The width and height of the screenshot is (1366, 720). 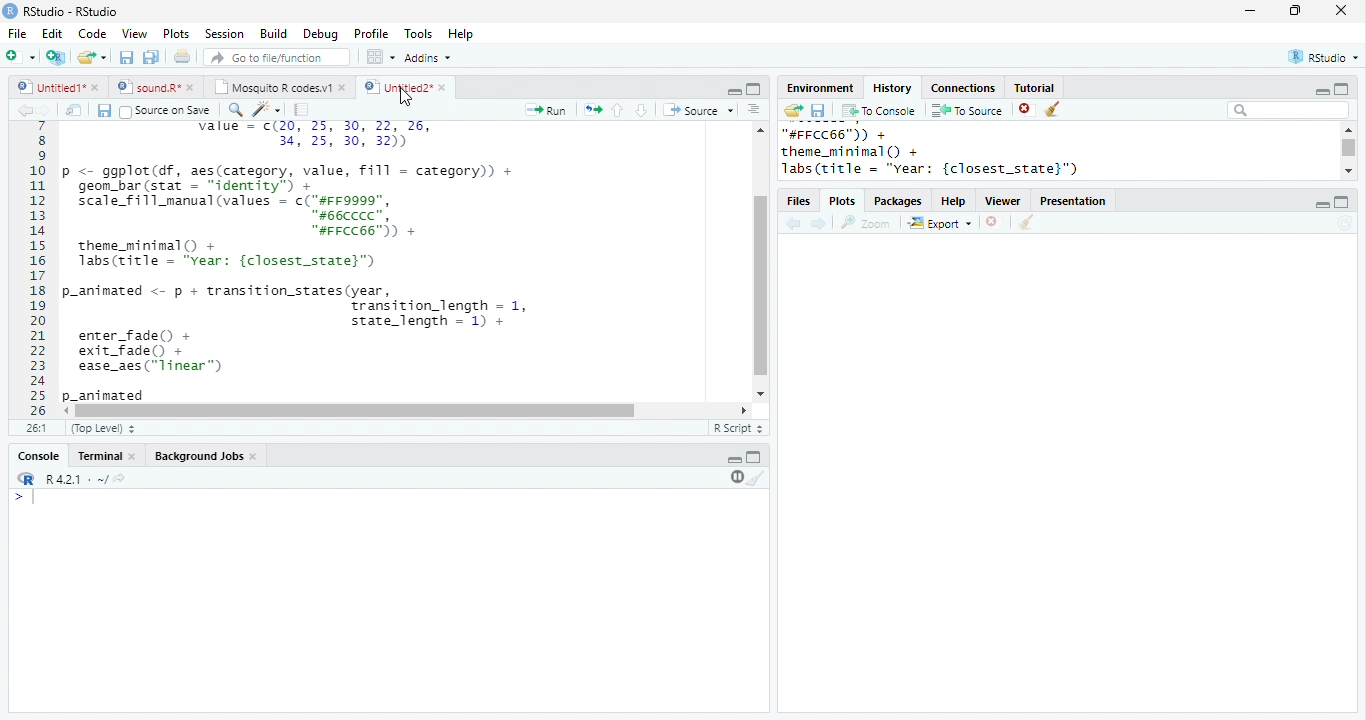 What do you see at coordinates (735, 92) in the screenshot?
I see `minimize` at bounding box center [735, 92].